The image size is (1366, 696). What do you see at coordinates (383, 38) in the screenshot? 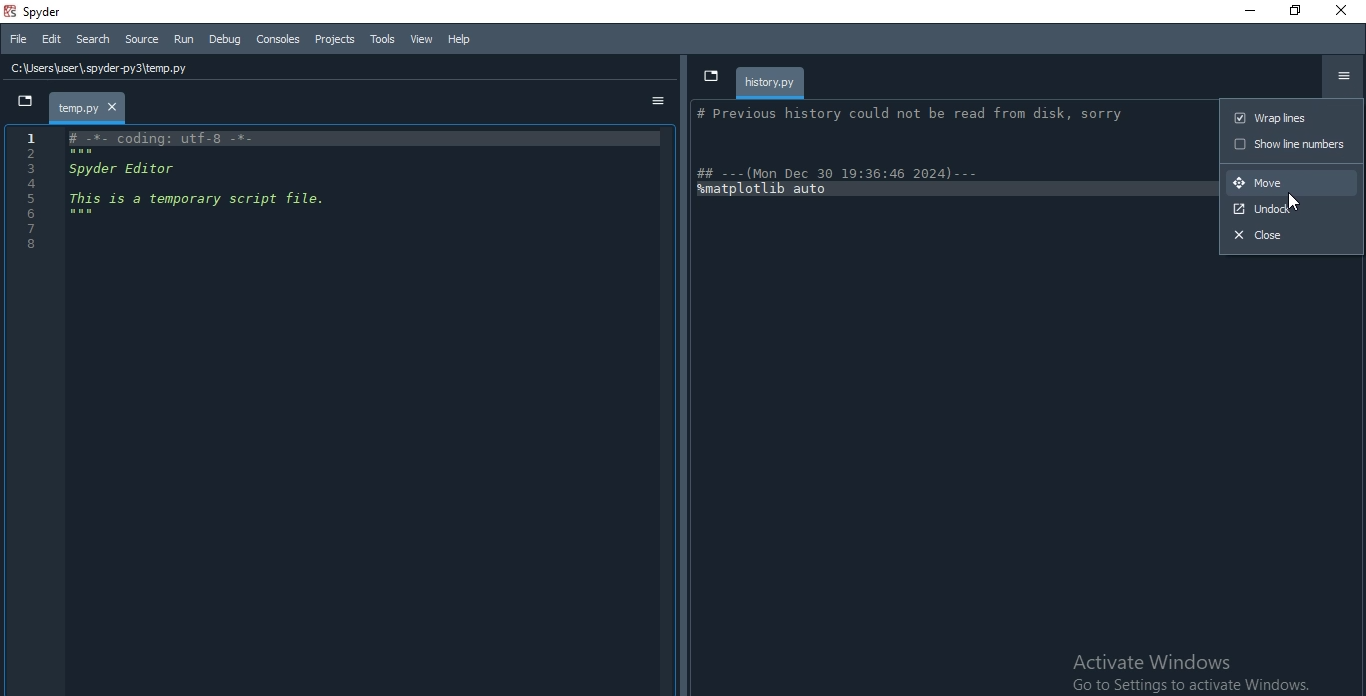
I see `Tools` at bounding box center [383, 38].